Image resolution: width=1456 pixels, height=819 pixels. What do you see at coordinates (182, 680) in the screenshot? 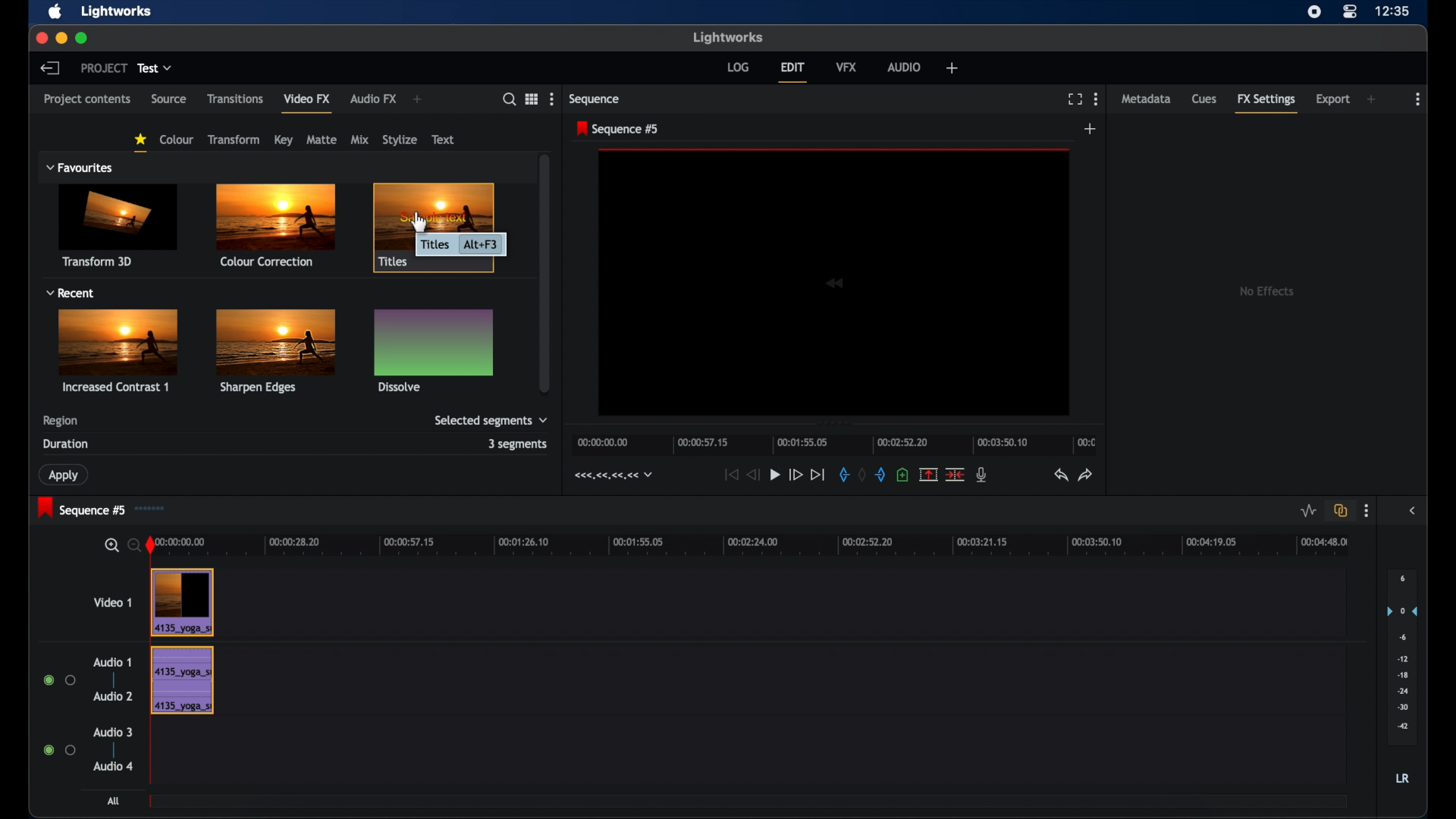
I see `audio track` at bounding box center [182, 680].